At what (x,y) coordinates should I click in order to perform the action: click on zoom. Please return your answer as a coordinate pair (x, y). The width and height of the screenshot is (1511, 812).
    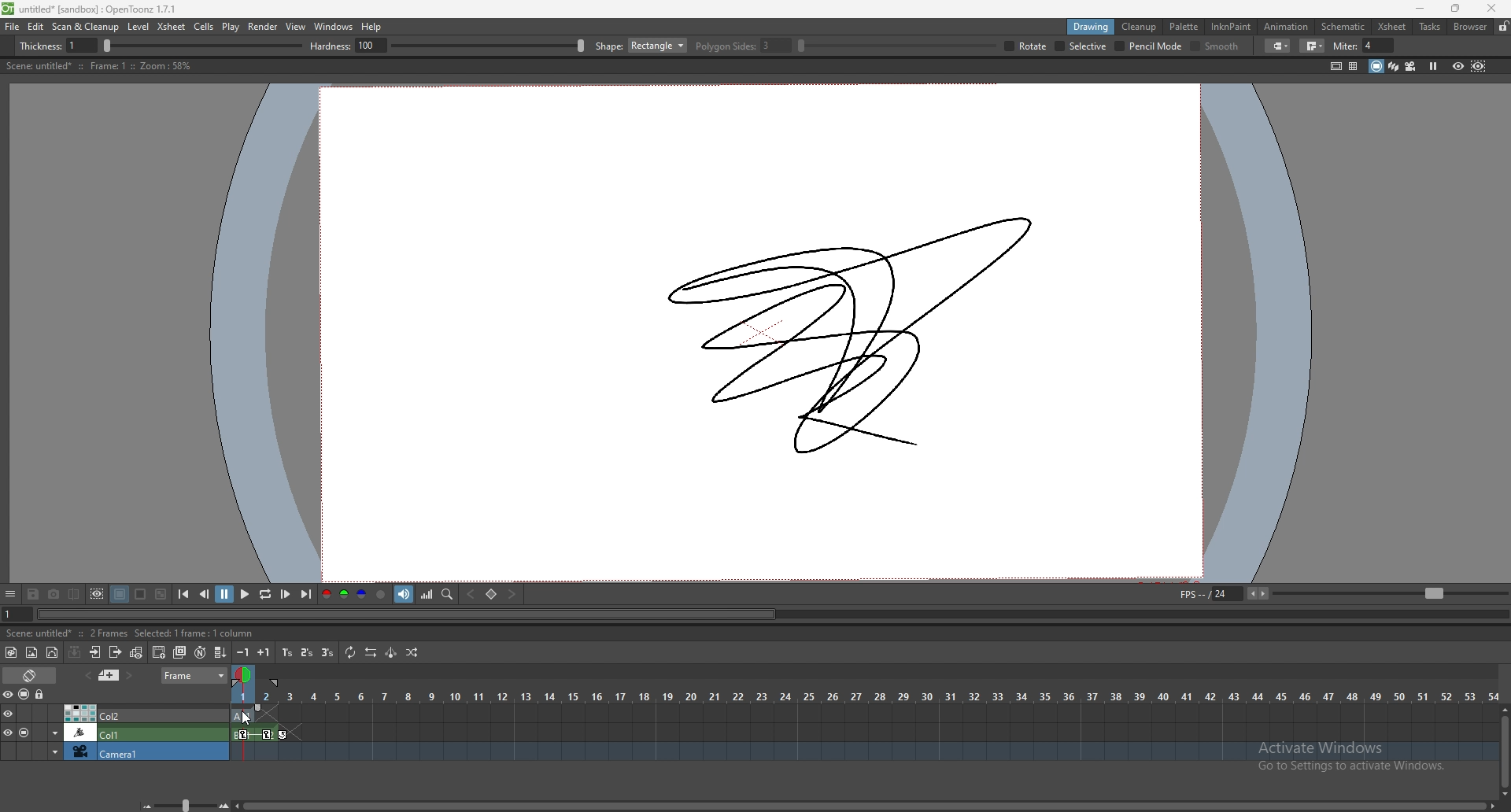
    Looking at the image, I should click on (185, 803).